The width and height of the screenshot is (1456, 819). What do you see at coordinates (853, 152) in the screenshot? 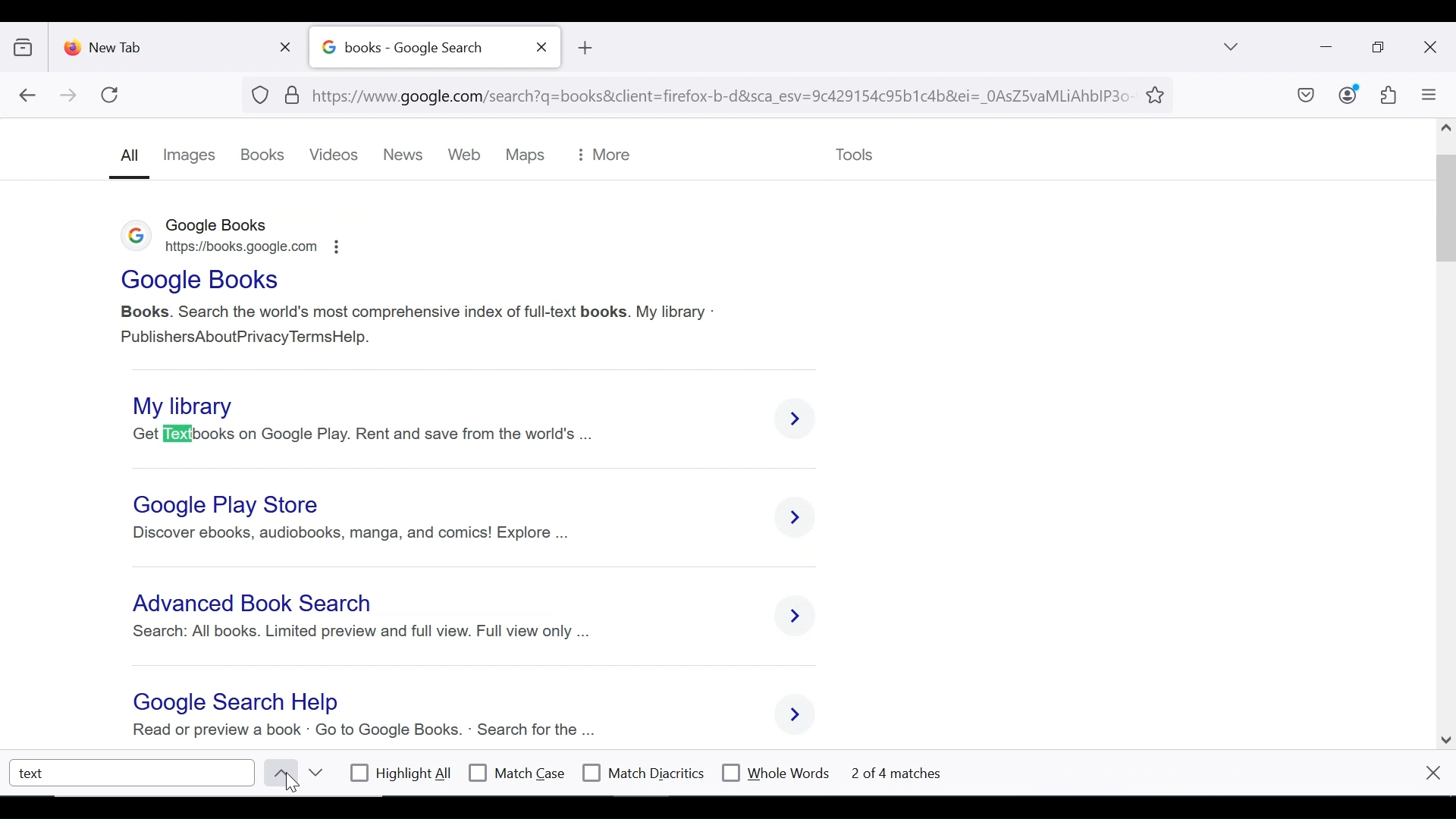
I see `tools` at bounding box center [853, 152].